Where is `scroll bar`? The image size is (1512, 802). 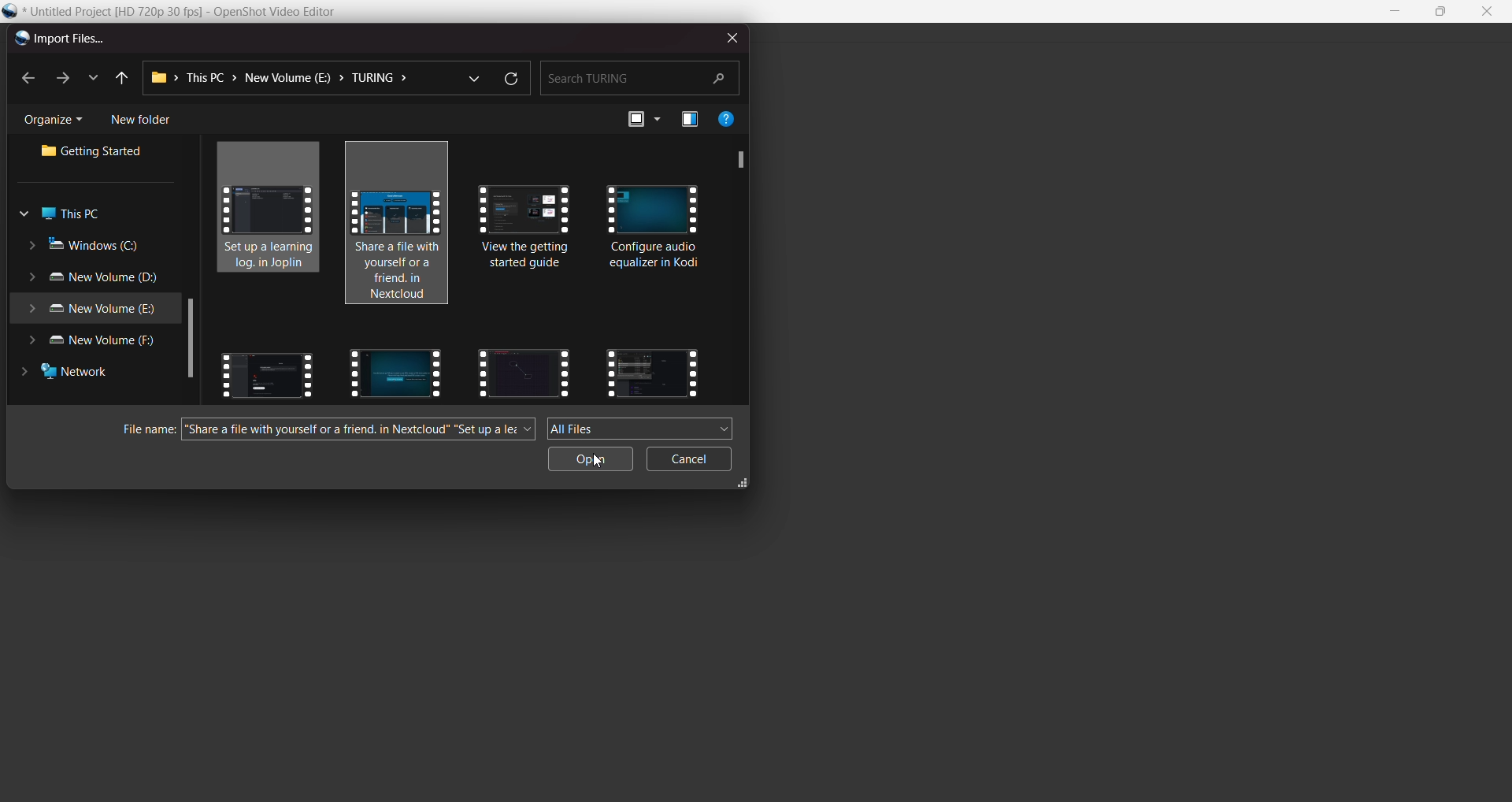 scroll bar is located at coordinates (736, 159).